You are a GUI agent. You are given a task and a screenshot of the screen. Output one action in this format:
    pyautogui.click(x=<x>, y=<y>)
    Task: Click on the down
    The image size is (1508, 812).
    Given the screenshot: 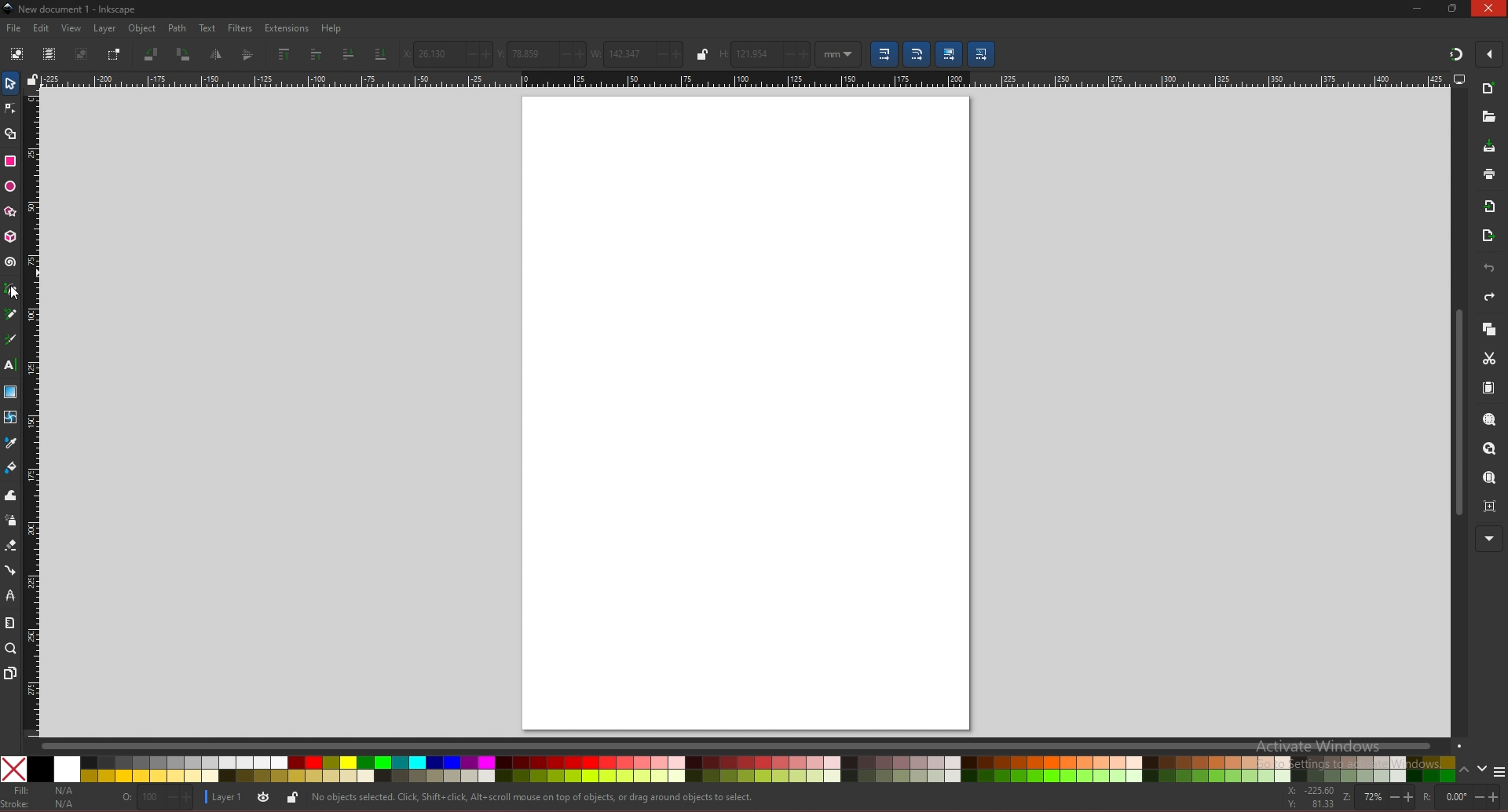 What is the action you would take?
    pyautogui.click(x=1483, y=769)
    